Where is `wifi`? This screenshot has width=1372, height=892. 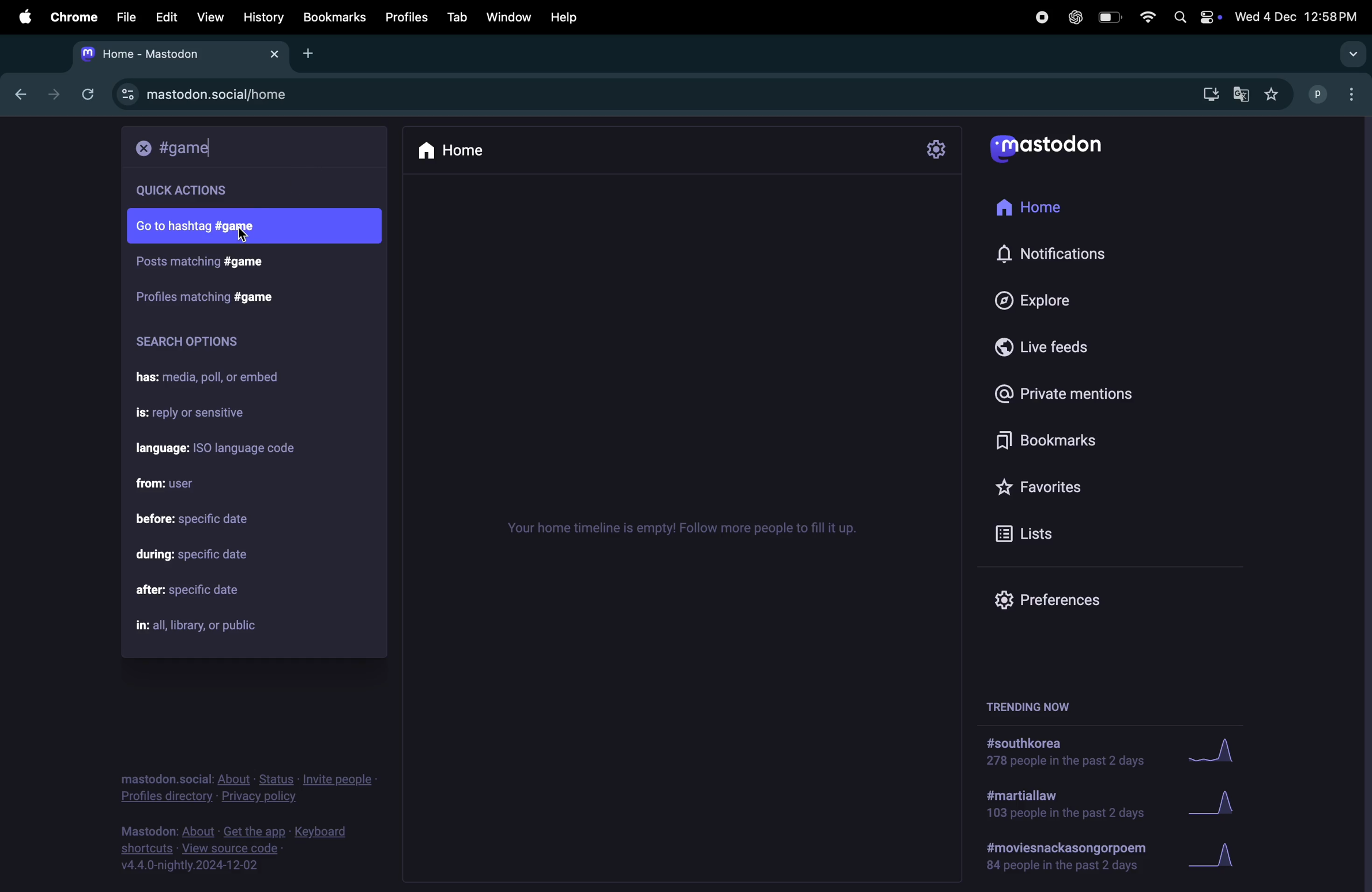 wifi is located at coordinates (1144, 16).